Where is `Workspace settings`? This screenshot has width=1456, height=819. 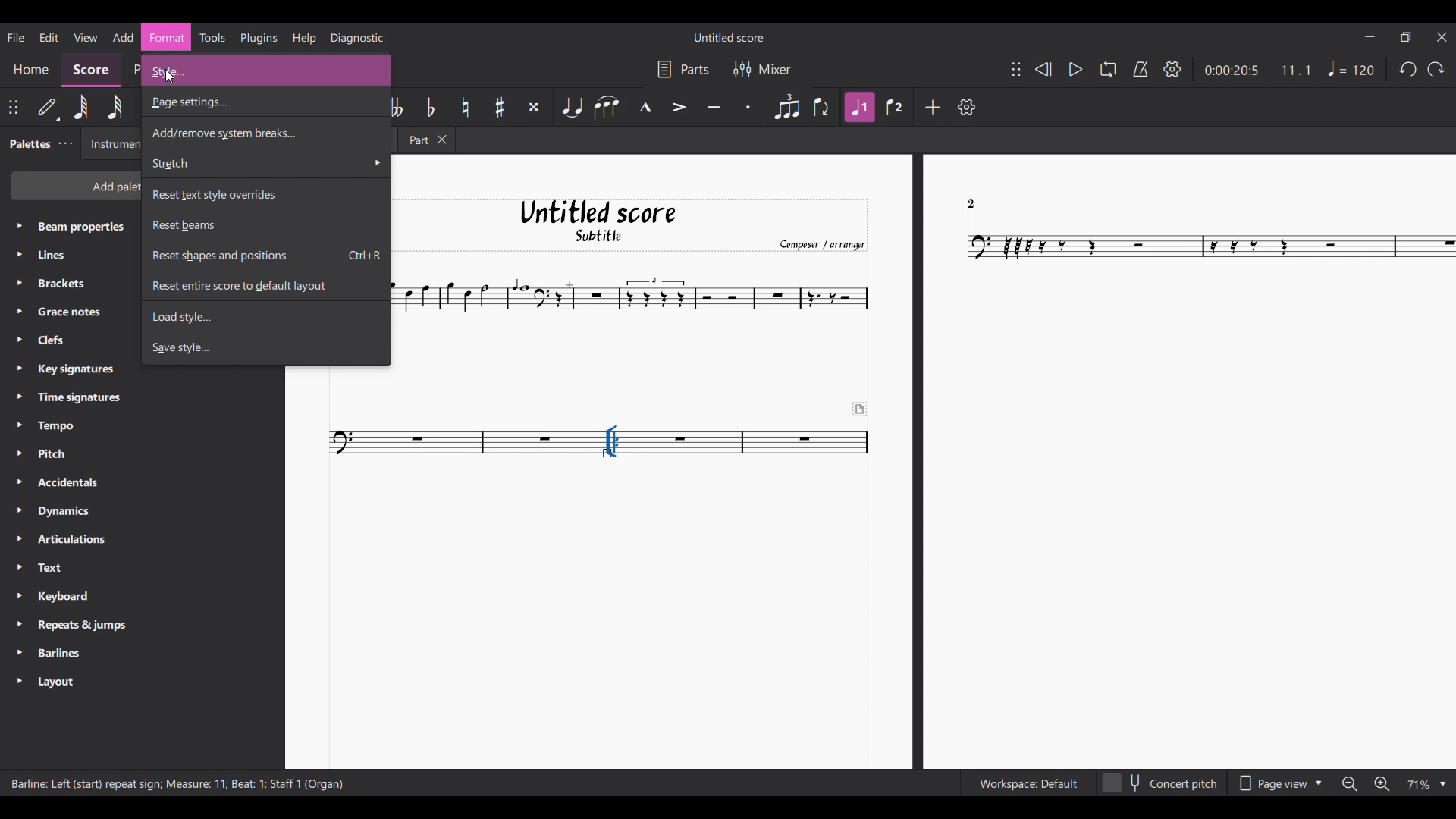
Workspace settings is located at coordinates (1028, 783).